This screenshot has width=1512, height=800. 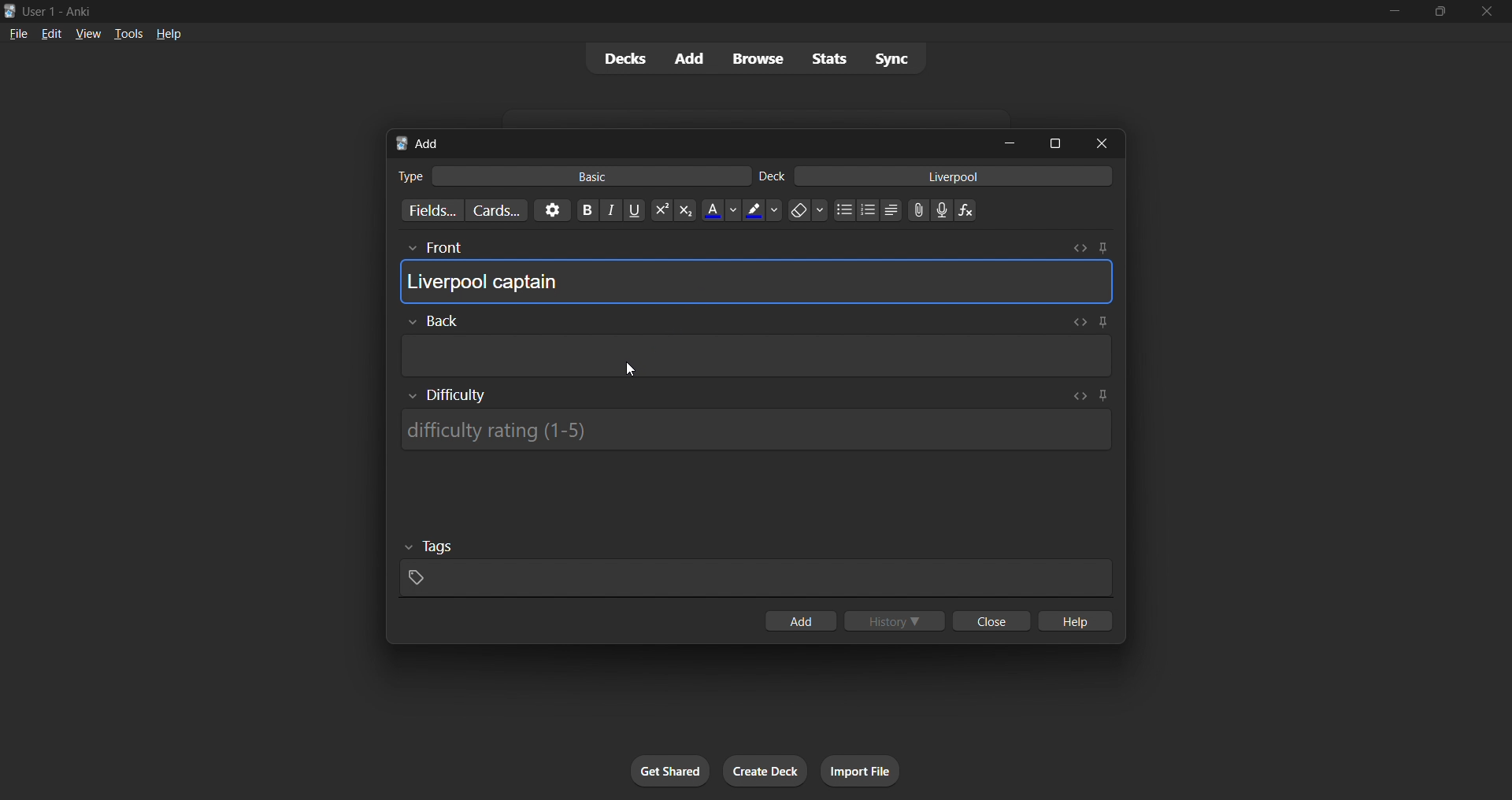 I want to click on , so click(x=434, y=249).